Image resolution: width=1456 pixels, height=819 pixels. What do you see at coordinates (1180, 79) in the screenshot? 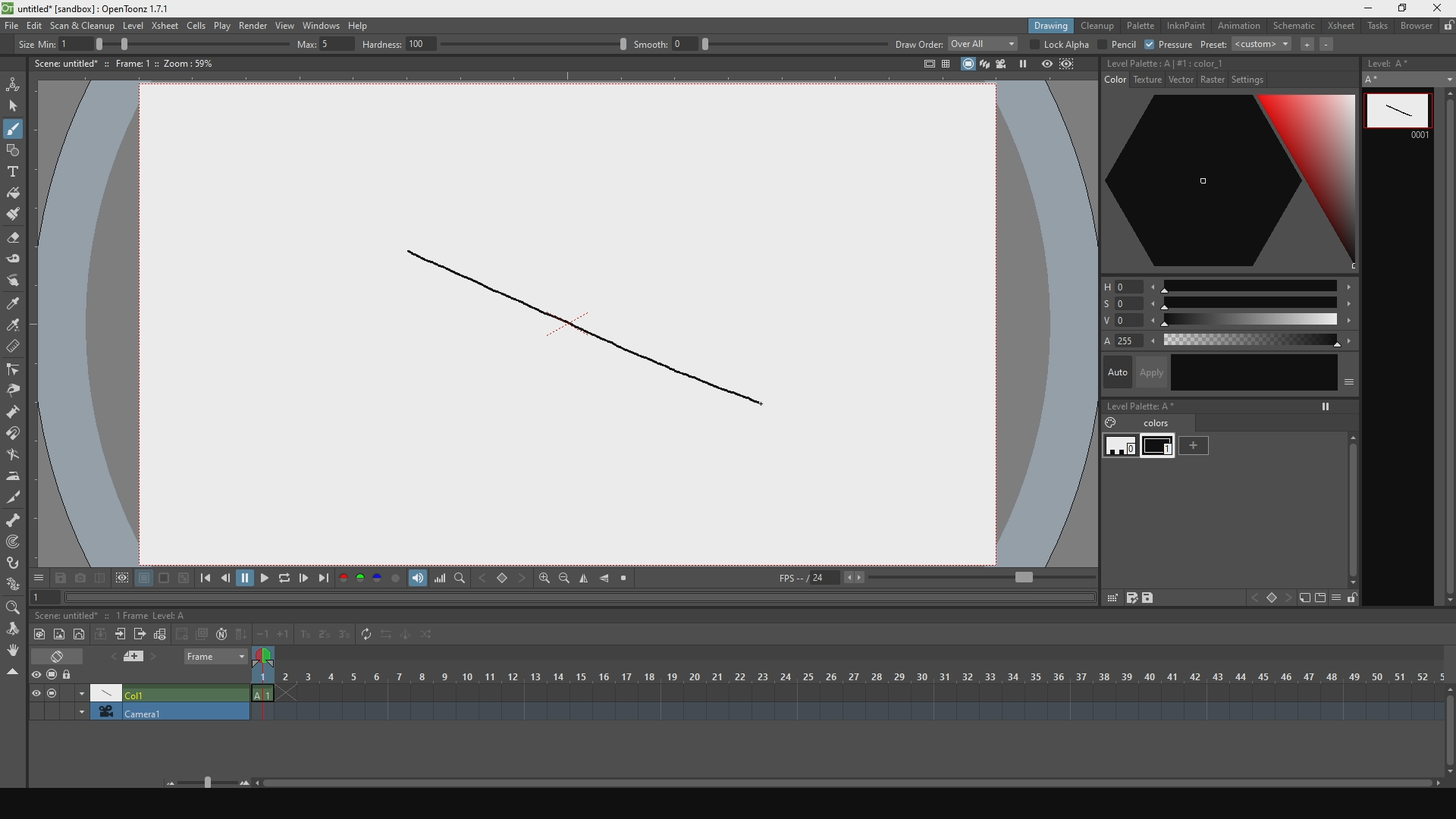
I see `vector` at bounding box center [1180, 79].